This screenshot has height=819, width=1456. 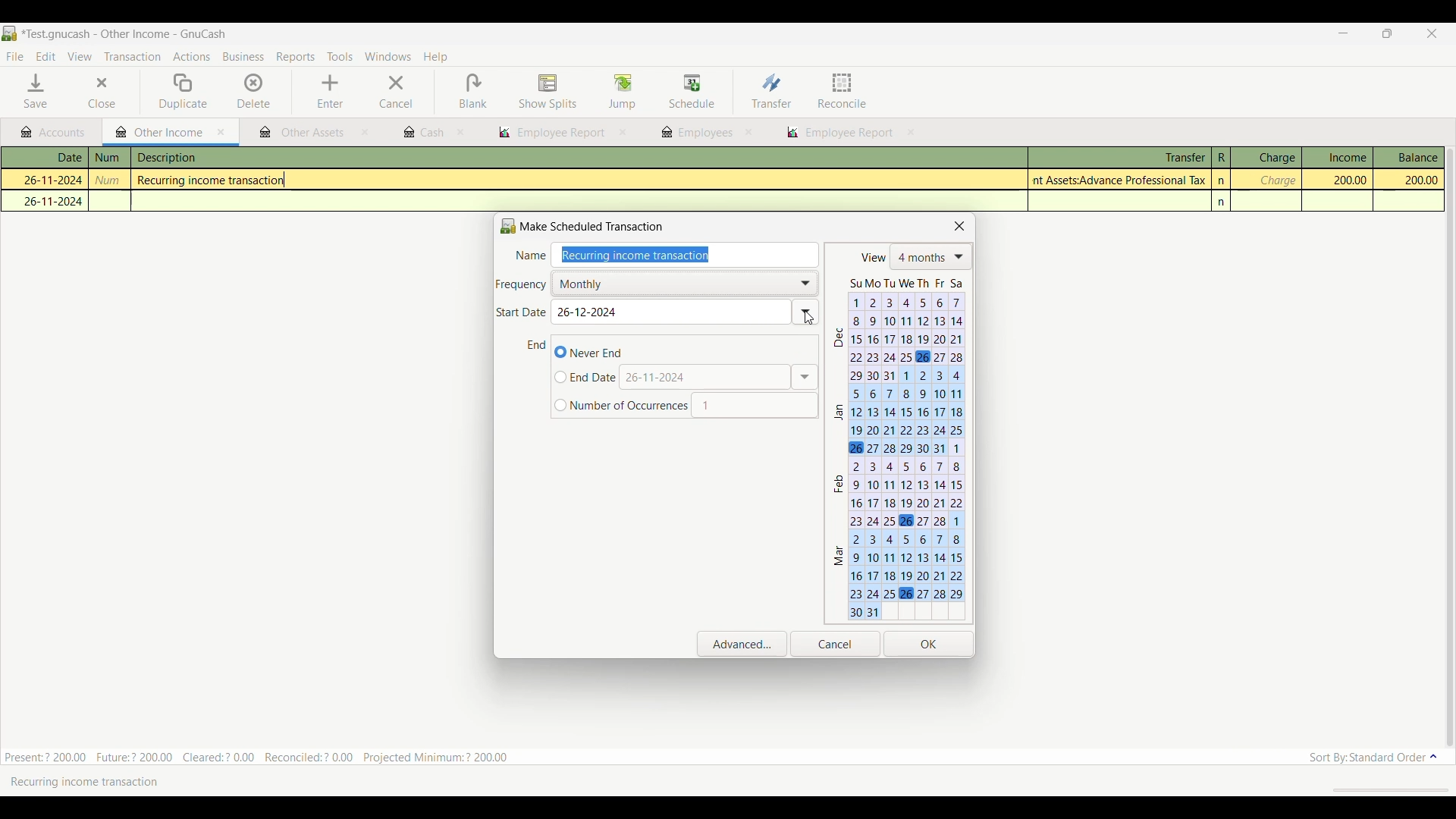 What do you see at coordinates (245, 158) in the screenshot?
I see `description` at bounding box center [245, 158].